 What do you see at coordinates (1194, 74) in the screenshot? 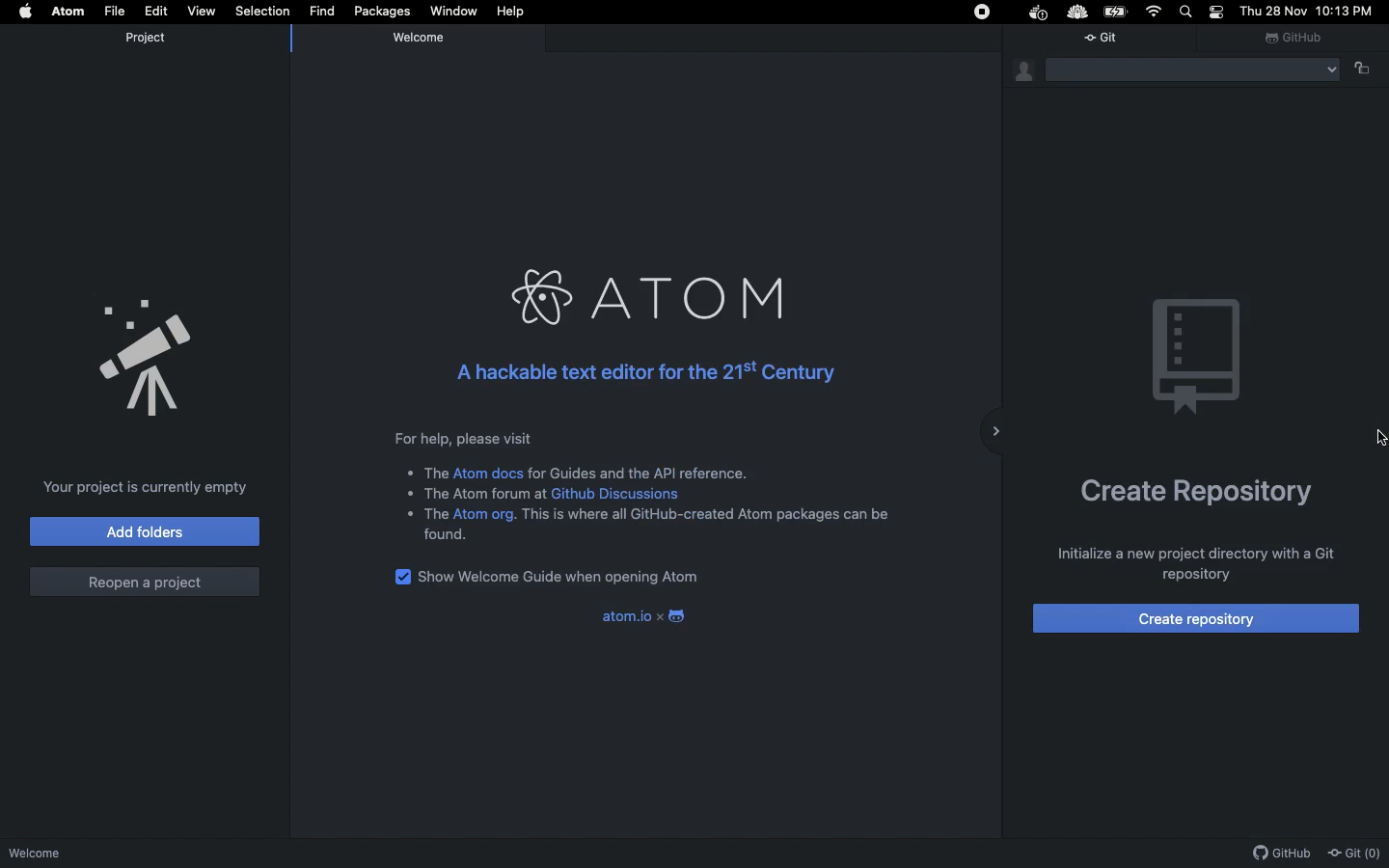
I see `Folder Menu` at bounding box center [1194, 74].